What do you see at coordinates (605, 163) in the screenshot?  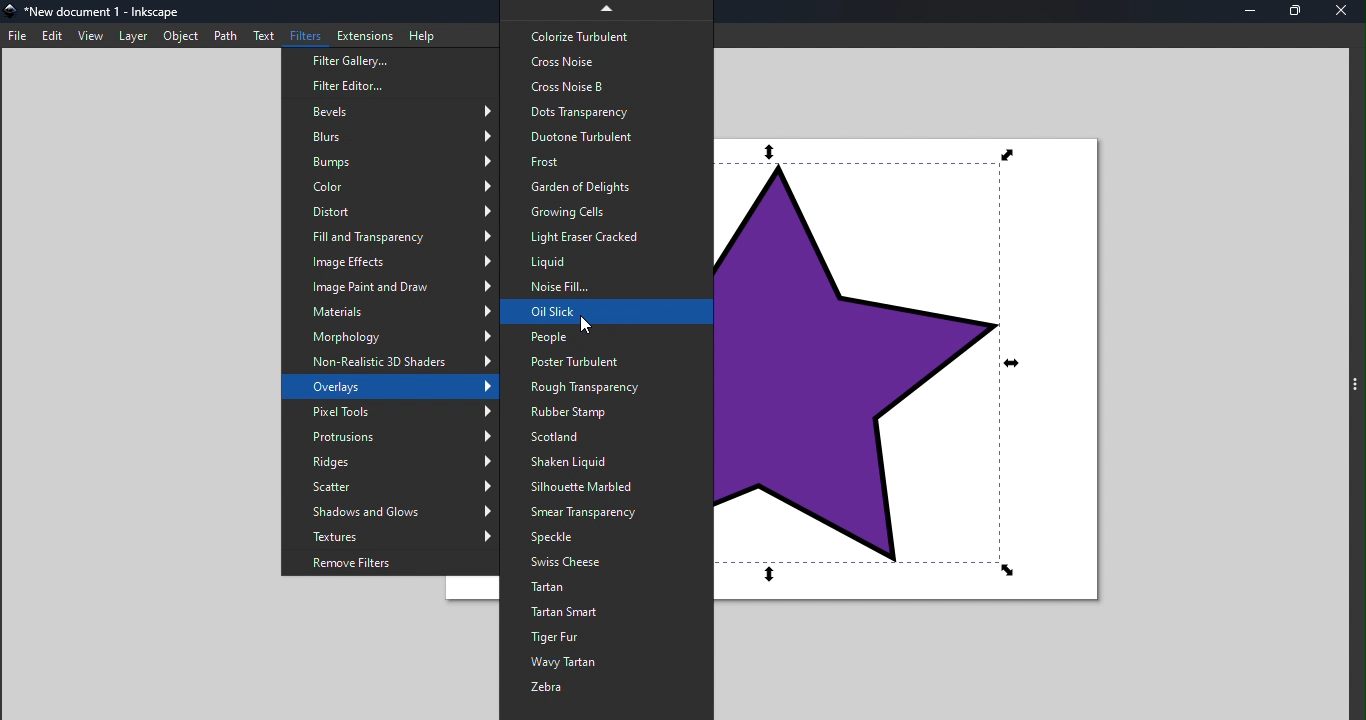 I see `Frost` at bounding box center [605, 163].